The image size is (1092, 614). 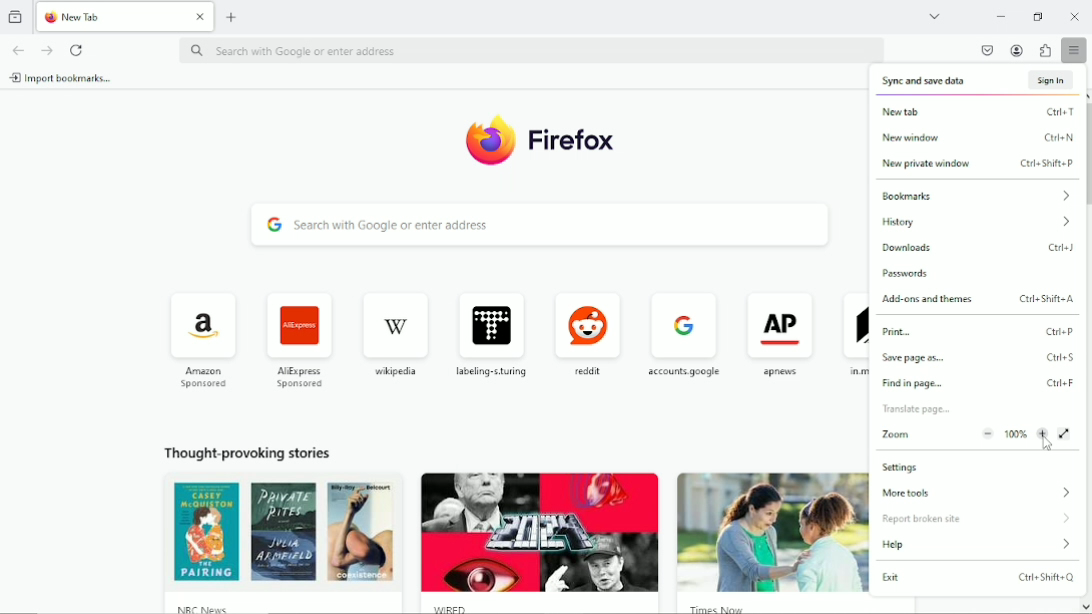 What do you see at coordinates (399, 336) in the screenshot?
I see `wikipedia` at bounding box center [399, 336].